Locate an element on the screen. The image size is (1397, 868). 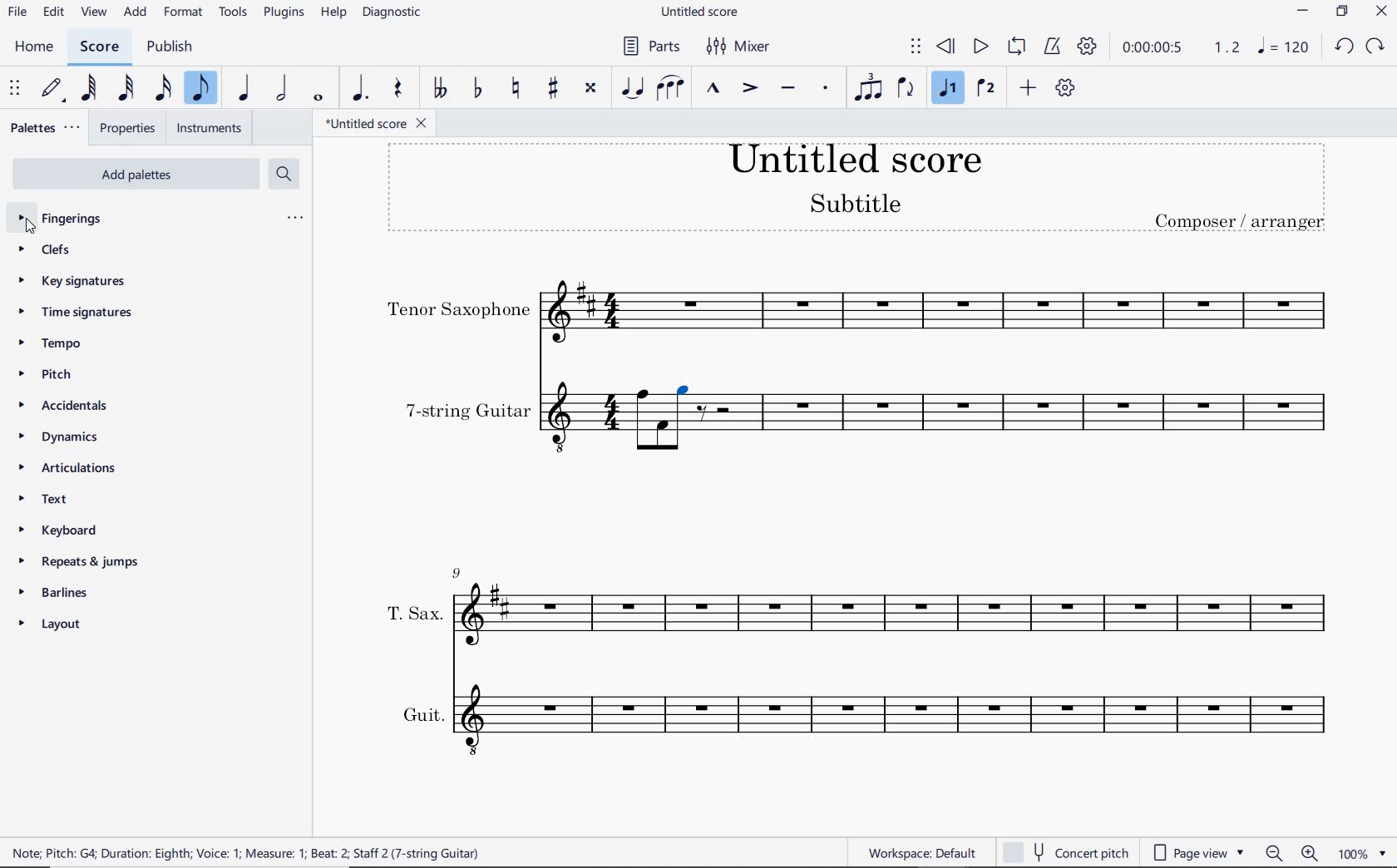
MARCATO is located at coordinates (713, 90).